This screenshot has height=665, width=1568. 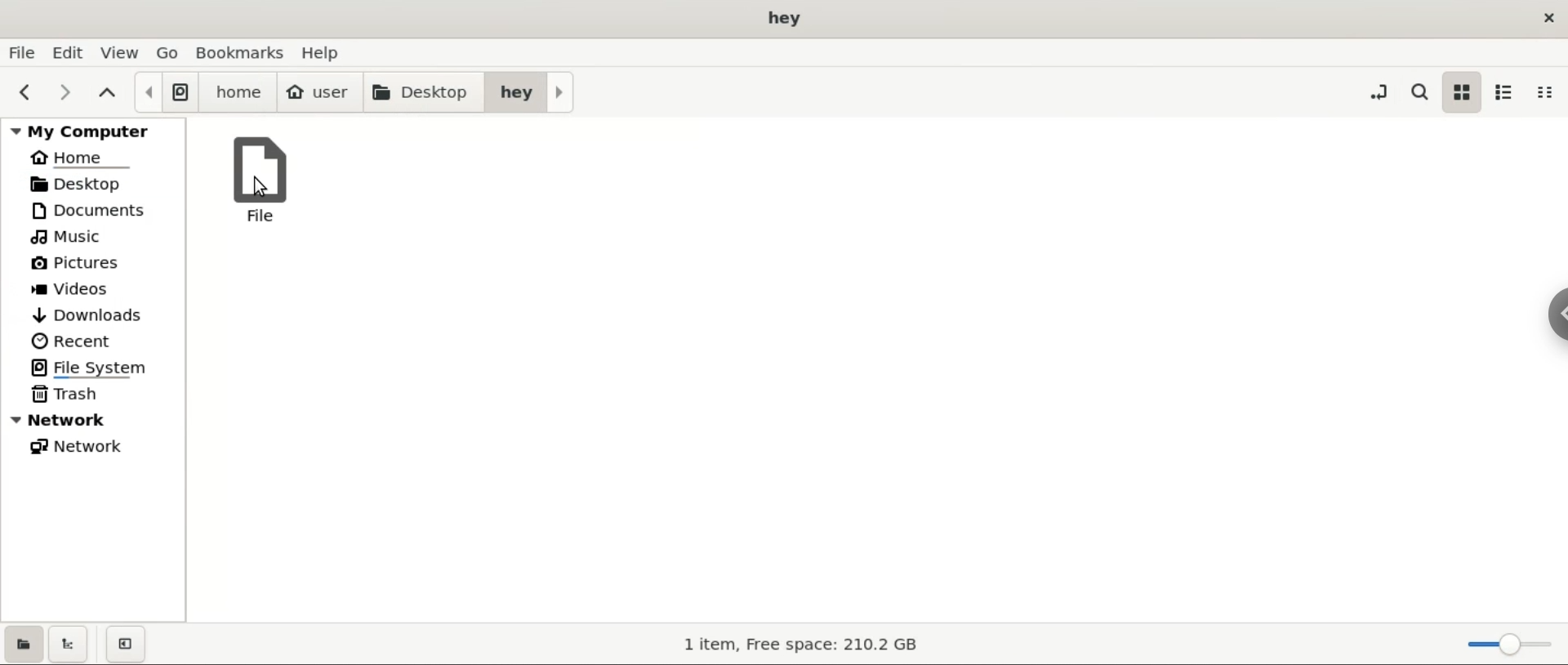 What do you see at coordinates (1463, 91) in the screenshot?
I see `icon view` at bounding box center [1463, 91].